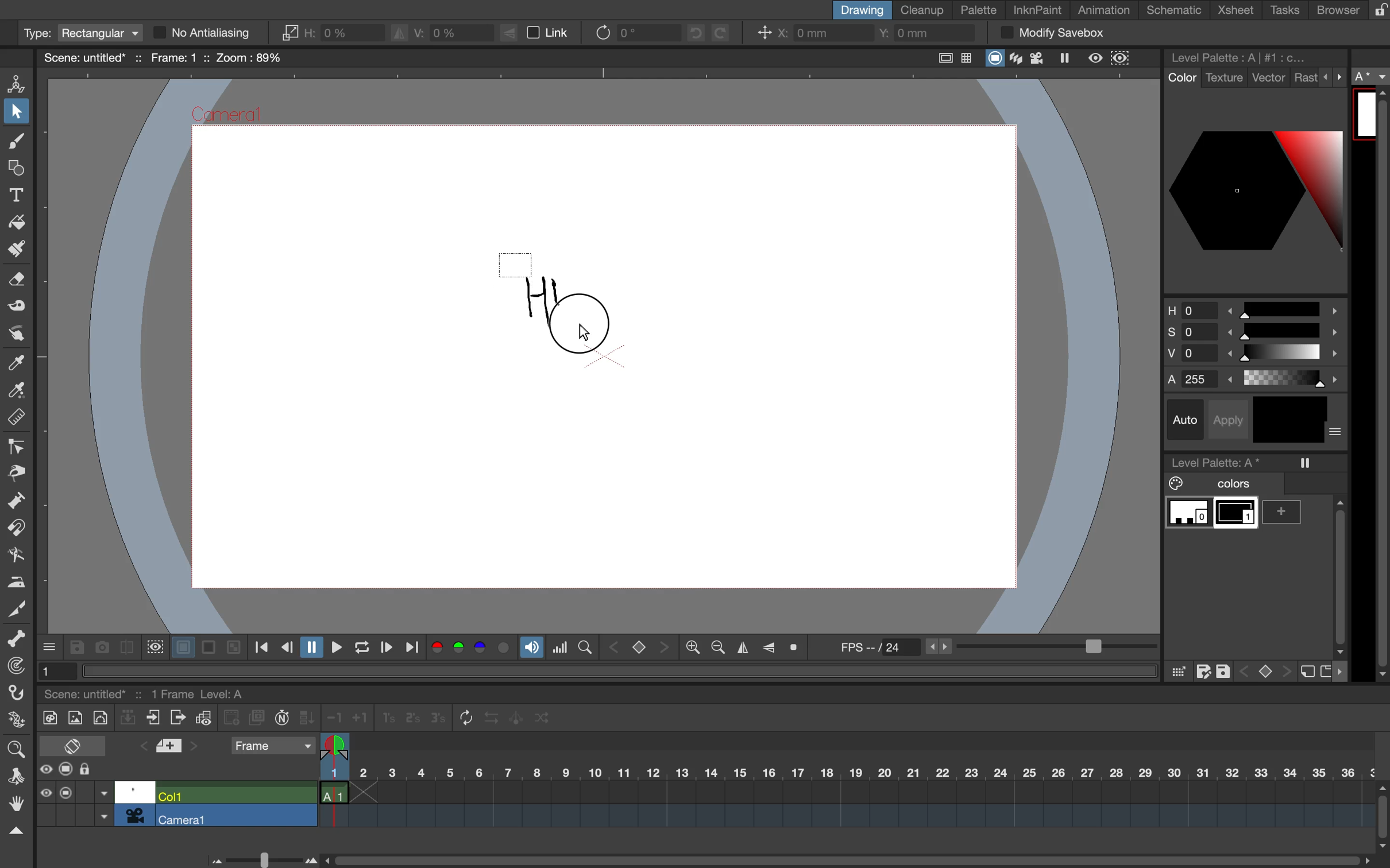 This screenshot has height=868, width=1390. I want to click on lock rooms tab, so click(1375, 11).